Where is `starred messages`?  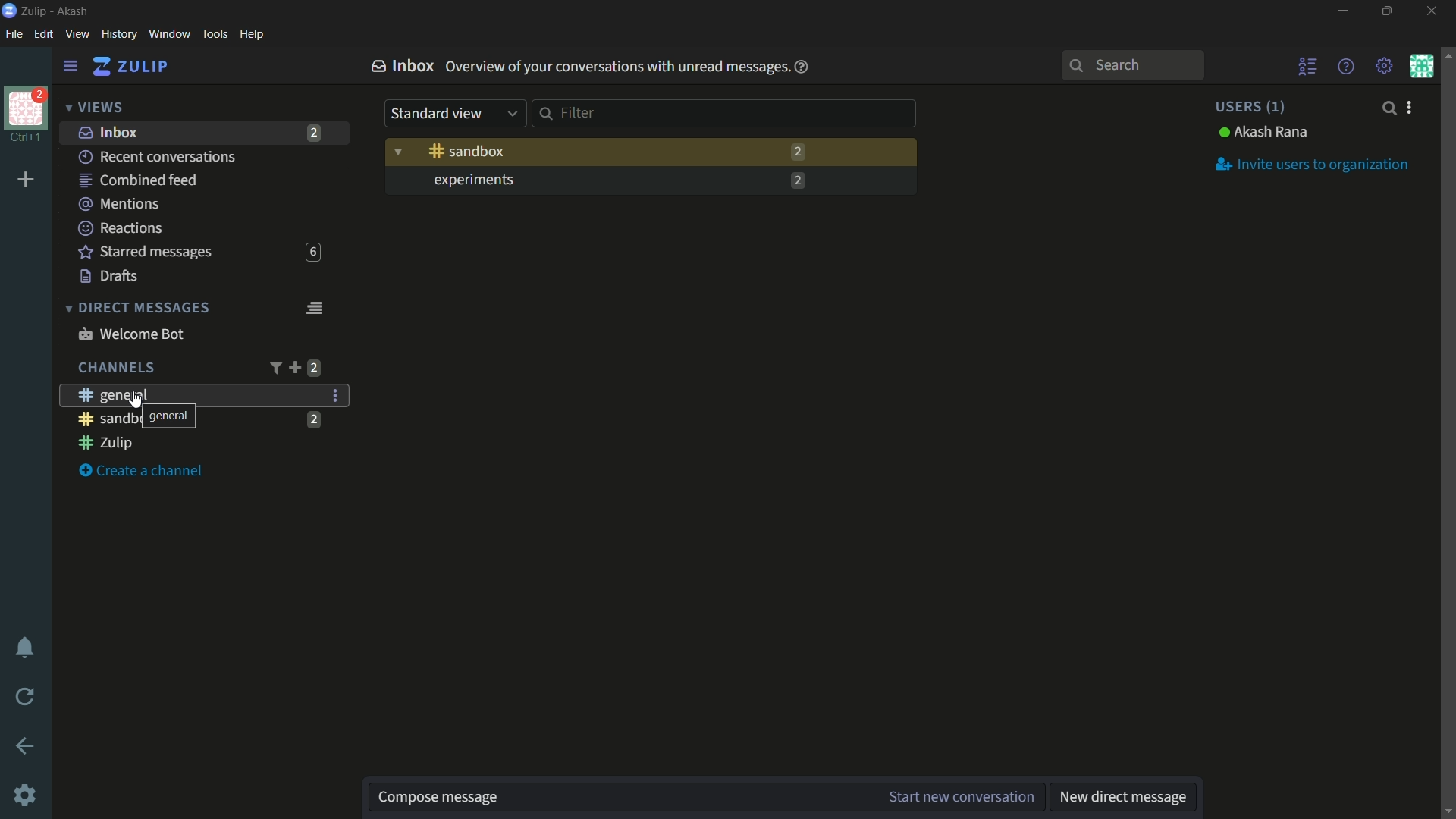 starred messages is located at coordinates (146, 253).